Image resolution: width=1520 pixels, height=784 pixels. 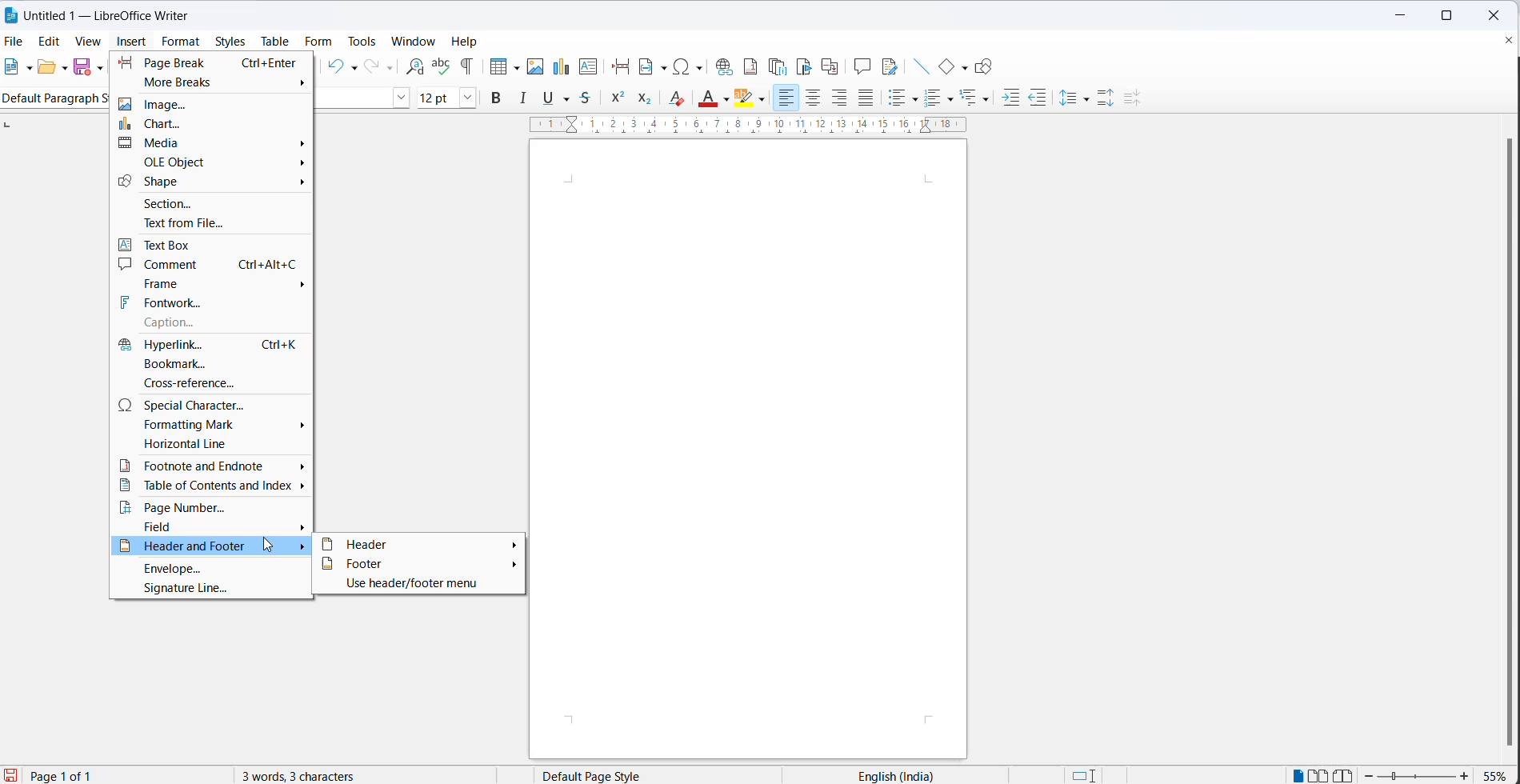 I want to click on shape, so click(x=210, y=184).